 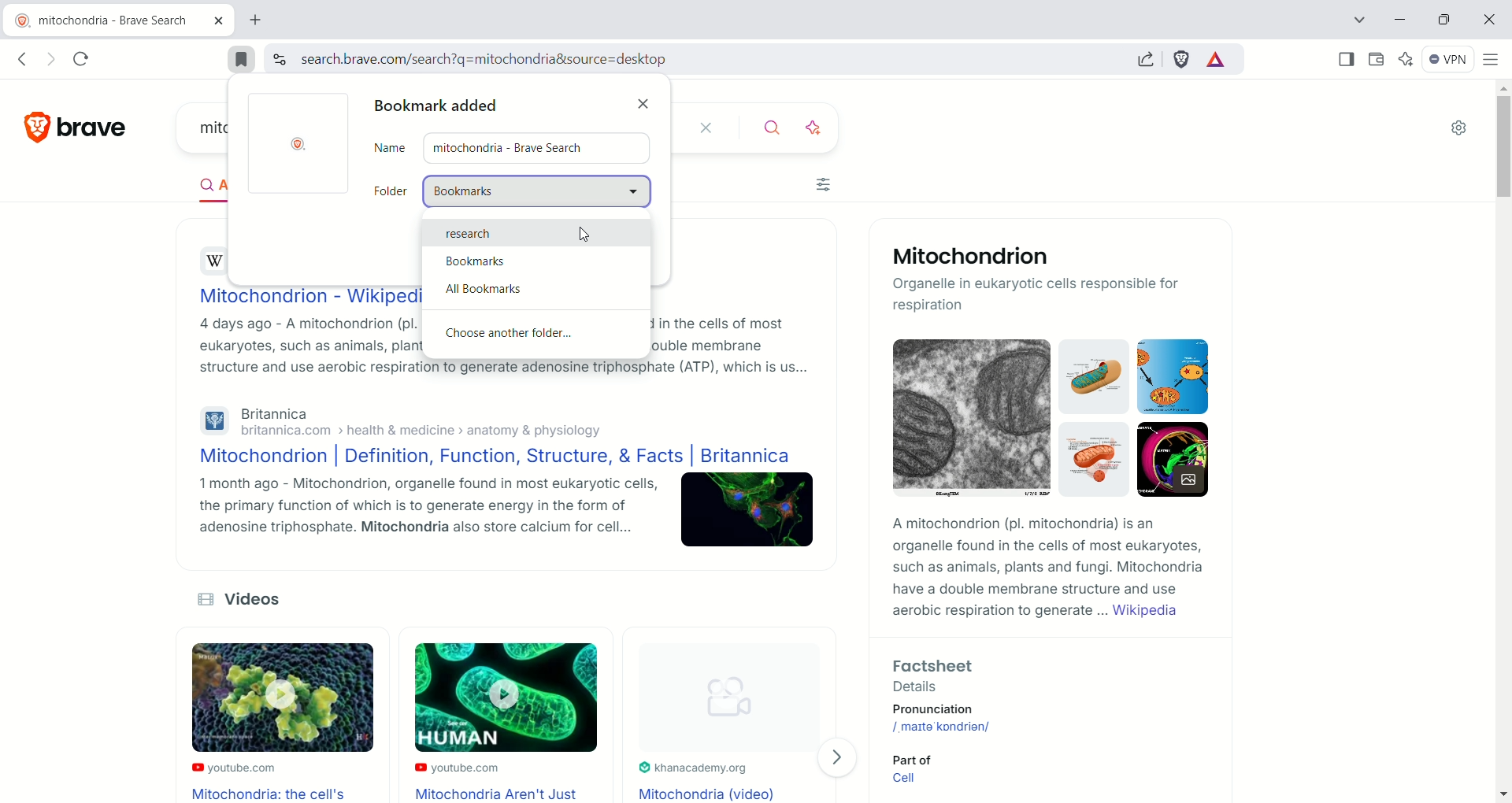 I want to click on Videos, so click(x=254, y=599).